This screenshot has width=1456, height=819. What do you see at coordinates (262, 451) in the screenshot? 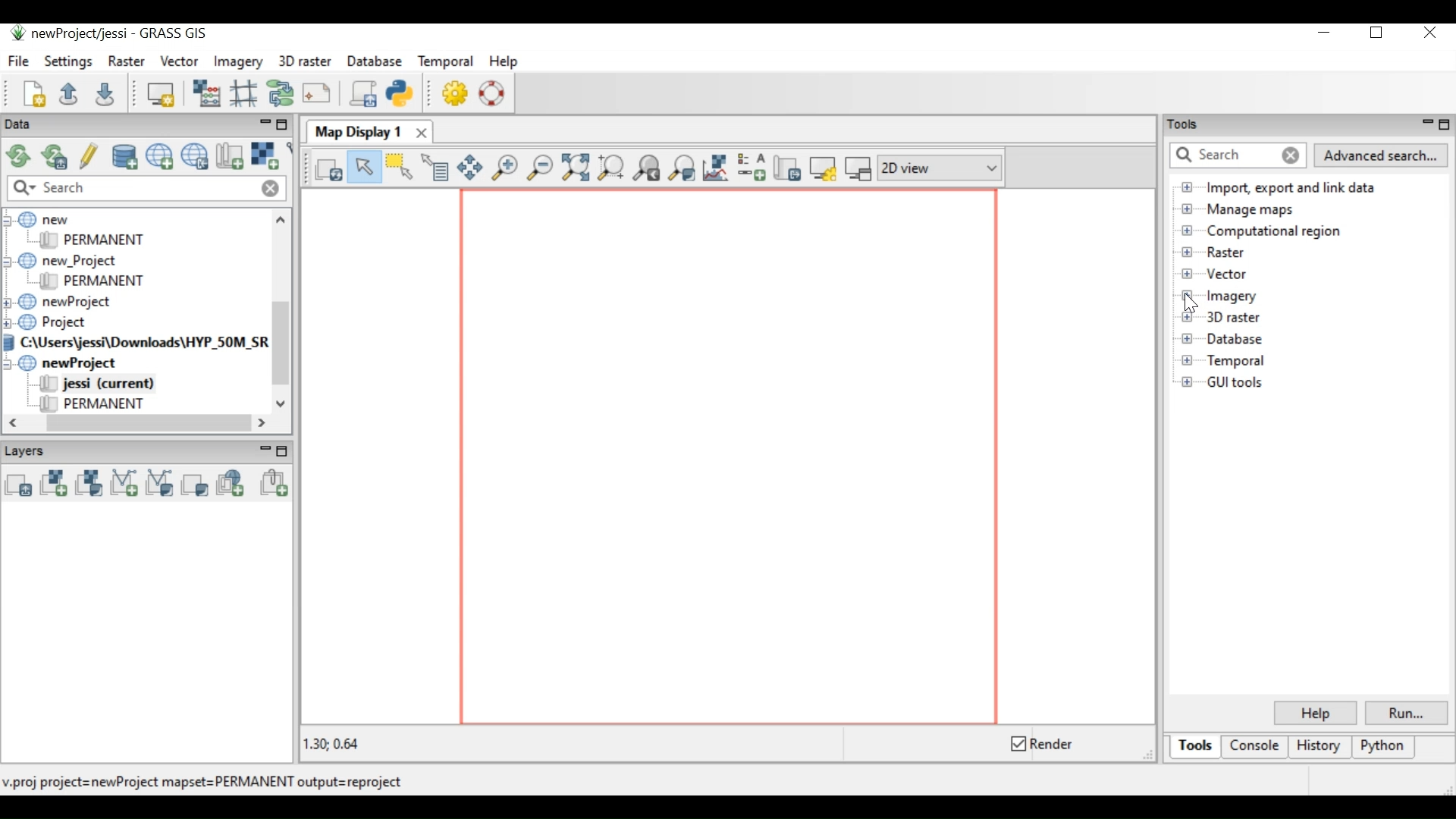
I see `Minimize` at bounding box center [262, 451].